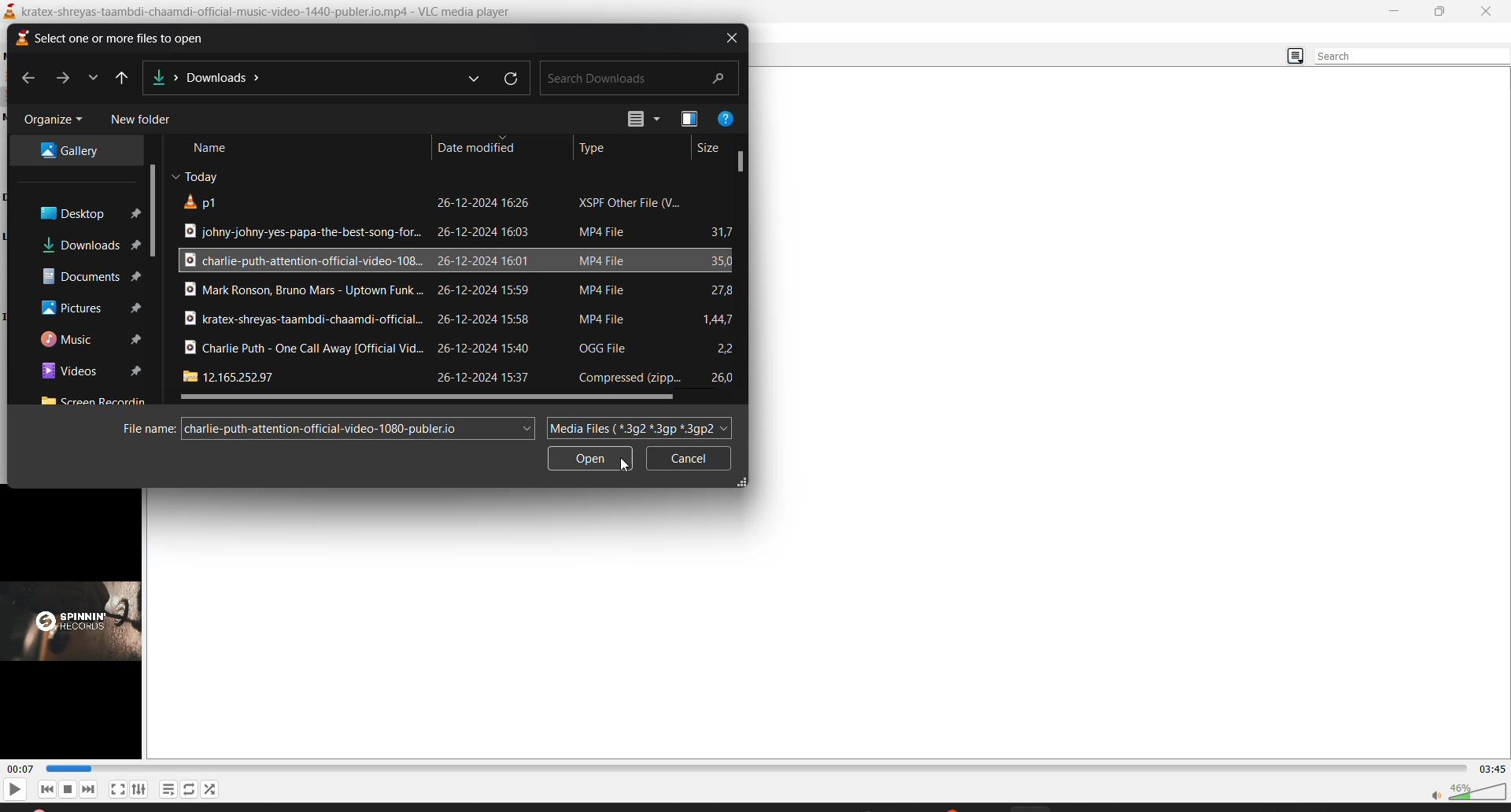 This screenshot has width=1511, height=812. I want to click on file title, so click(301, 346).